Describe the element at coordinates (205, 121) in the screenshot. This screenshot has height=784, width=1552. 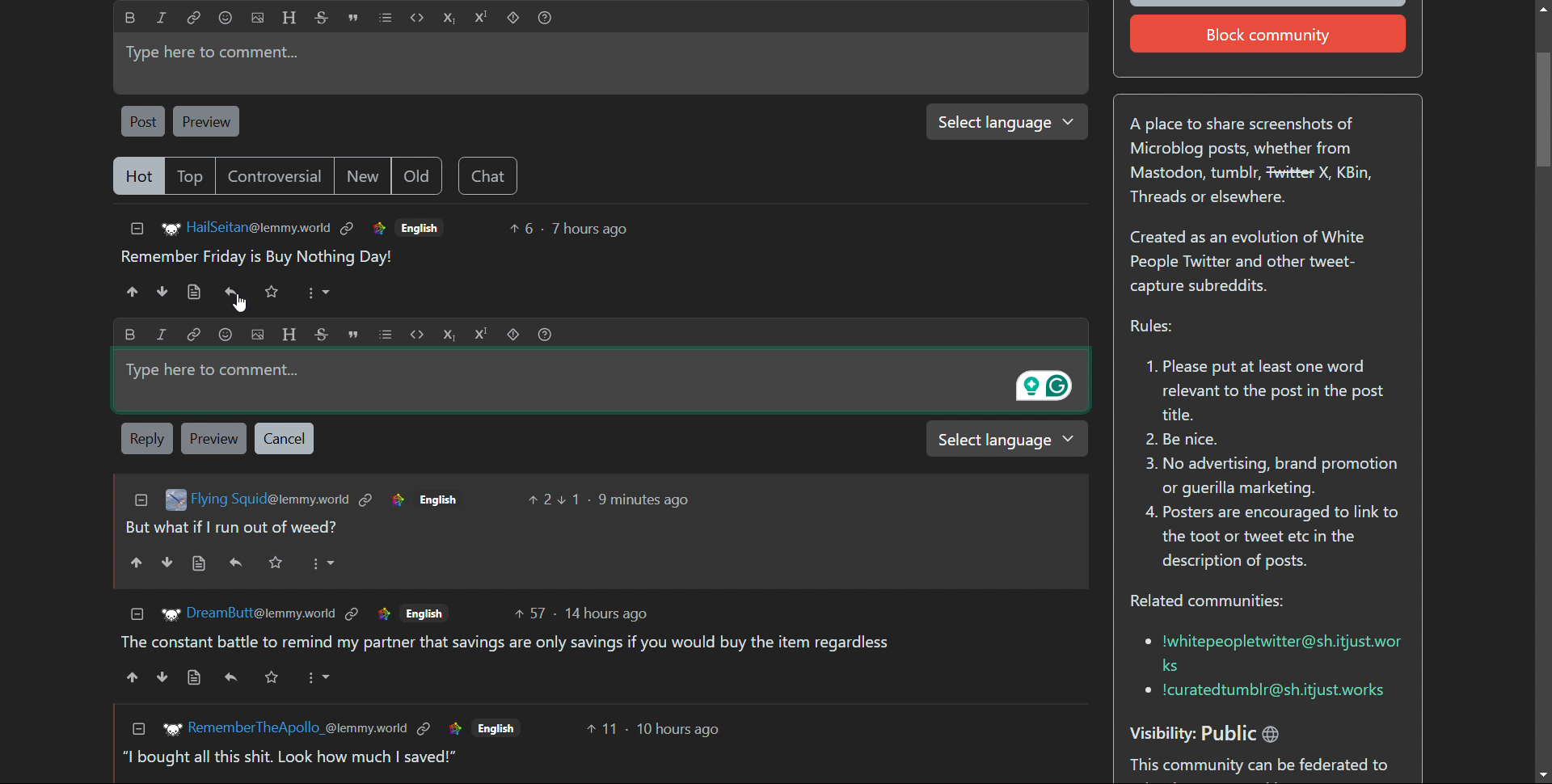
I see `preview` at that location.